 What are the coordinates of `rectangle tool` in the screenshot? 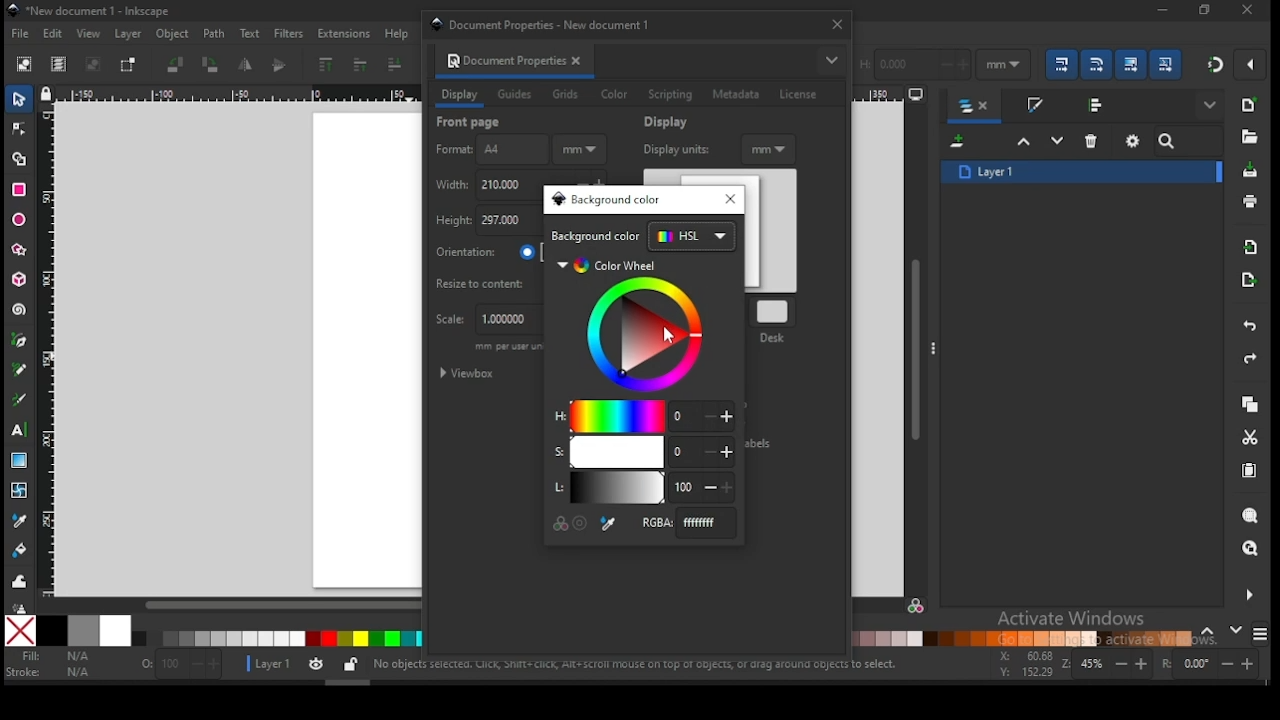 It's located at (19, 190).